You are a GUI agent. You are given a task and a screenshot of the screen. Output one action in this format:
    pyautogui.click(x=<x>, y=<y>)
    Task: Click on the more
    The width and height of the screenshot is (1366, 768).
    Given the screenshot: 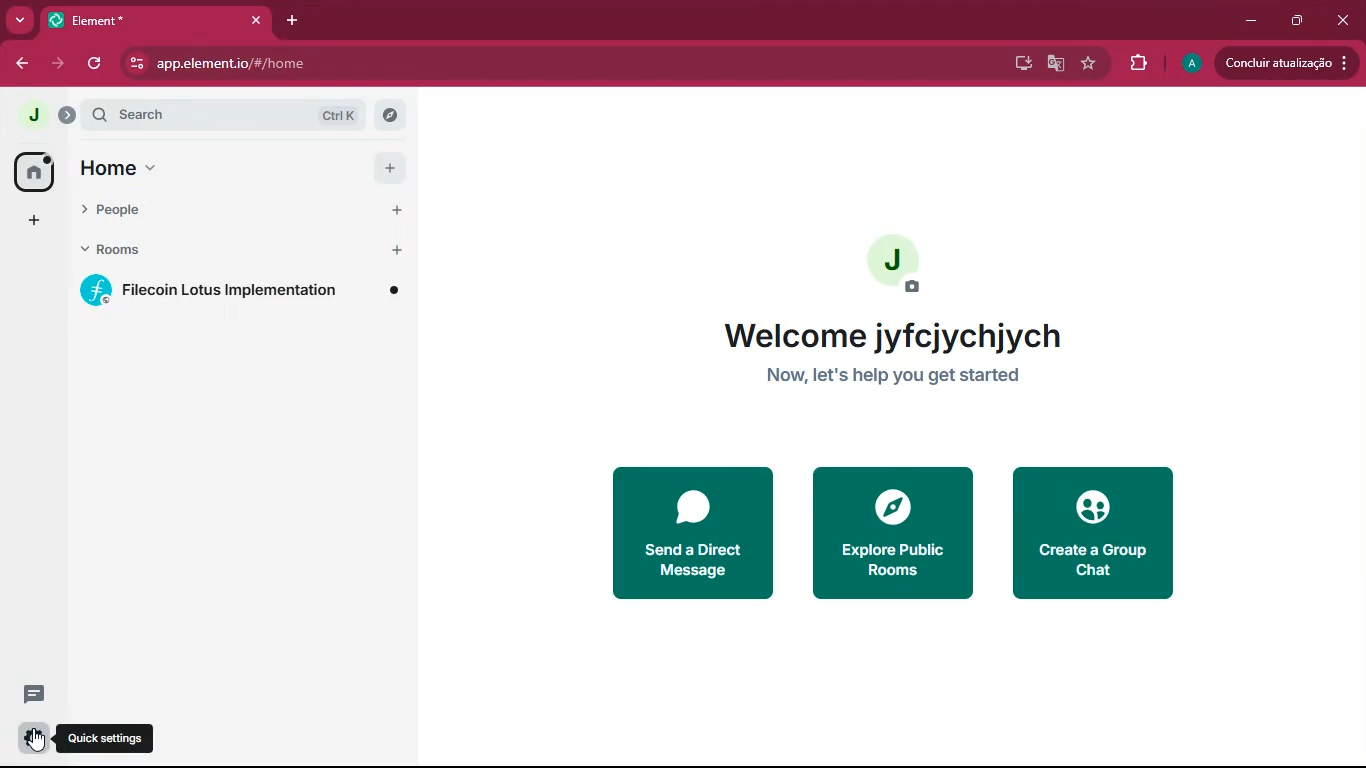 What is the action you would take?
    pyautogui.click(x=19, y=18)
    